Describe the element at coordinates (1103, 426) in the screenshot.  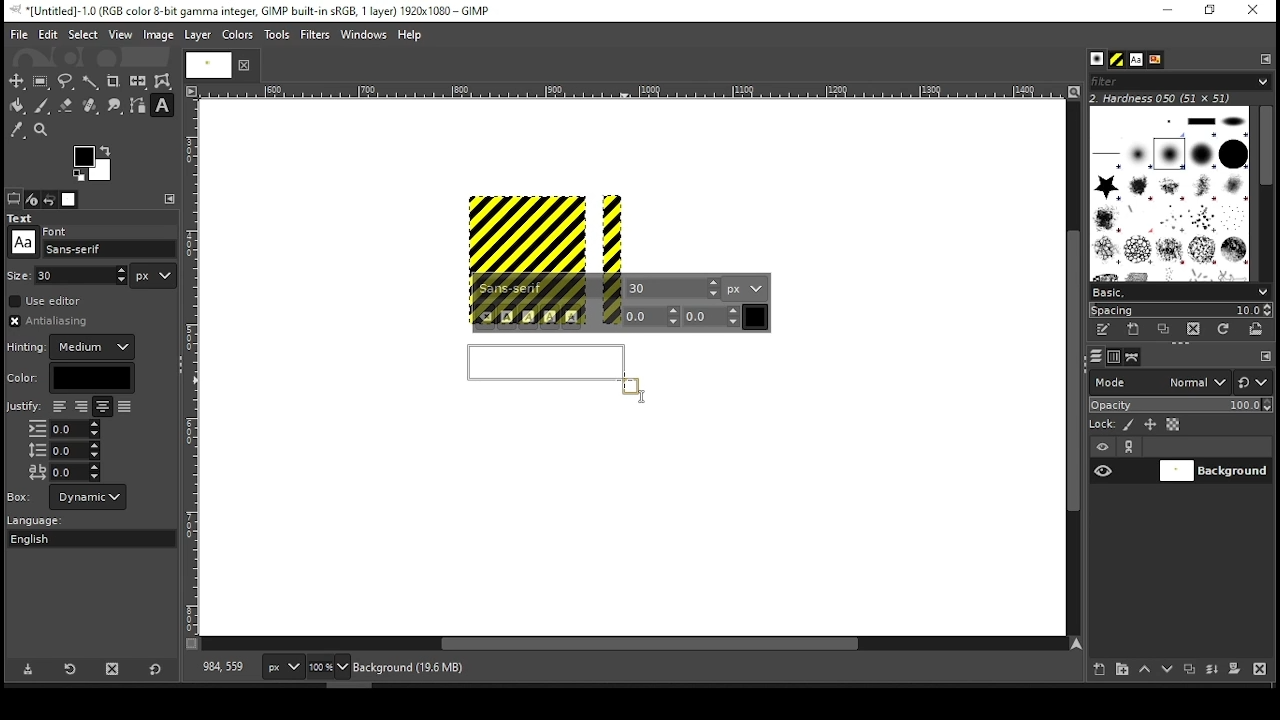
I see `lock:` at that location.